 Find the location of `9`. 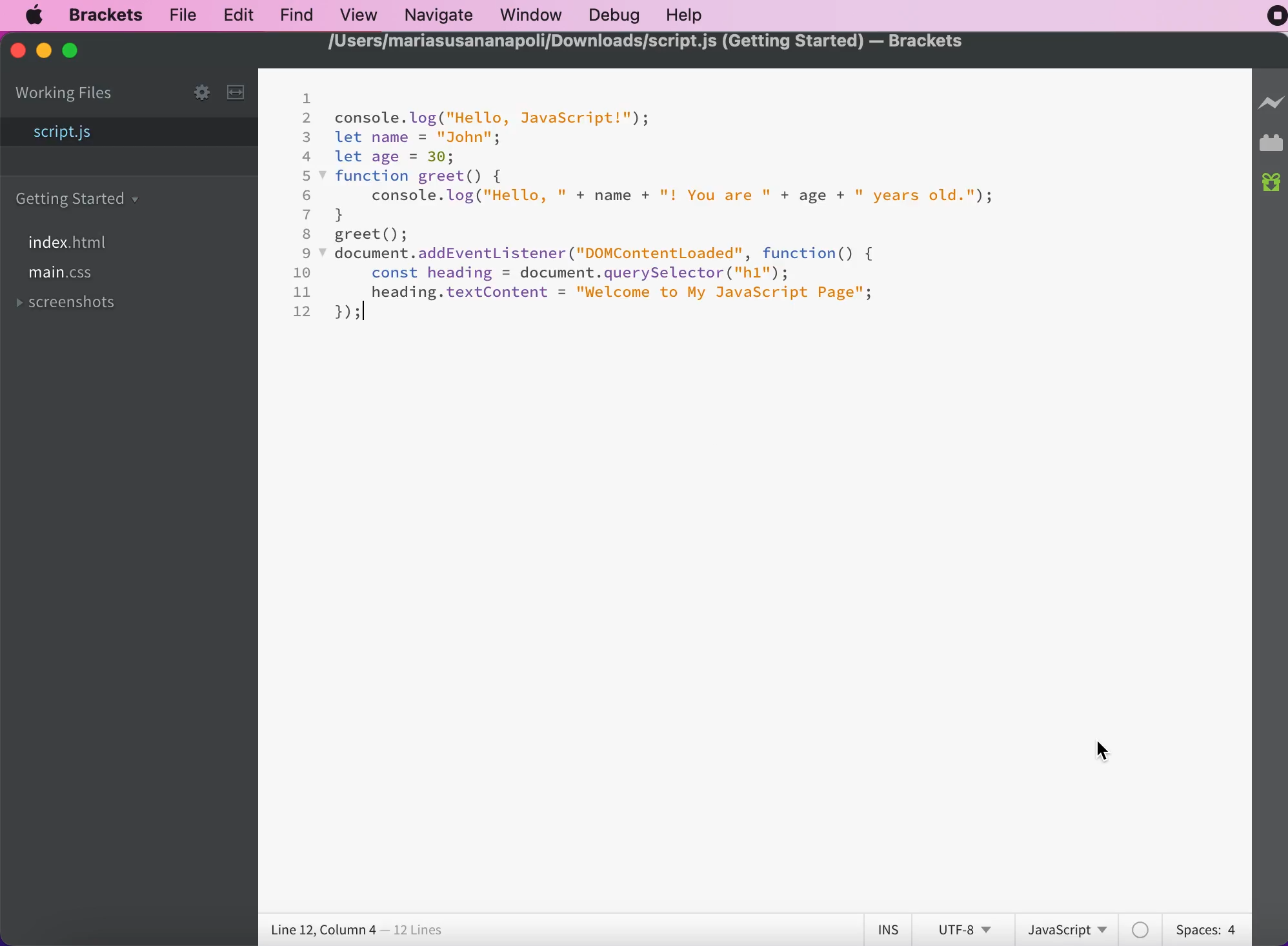

9 is located at coordinates (308, 253).